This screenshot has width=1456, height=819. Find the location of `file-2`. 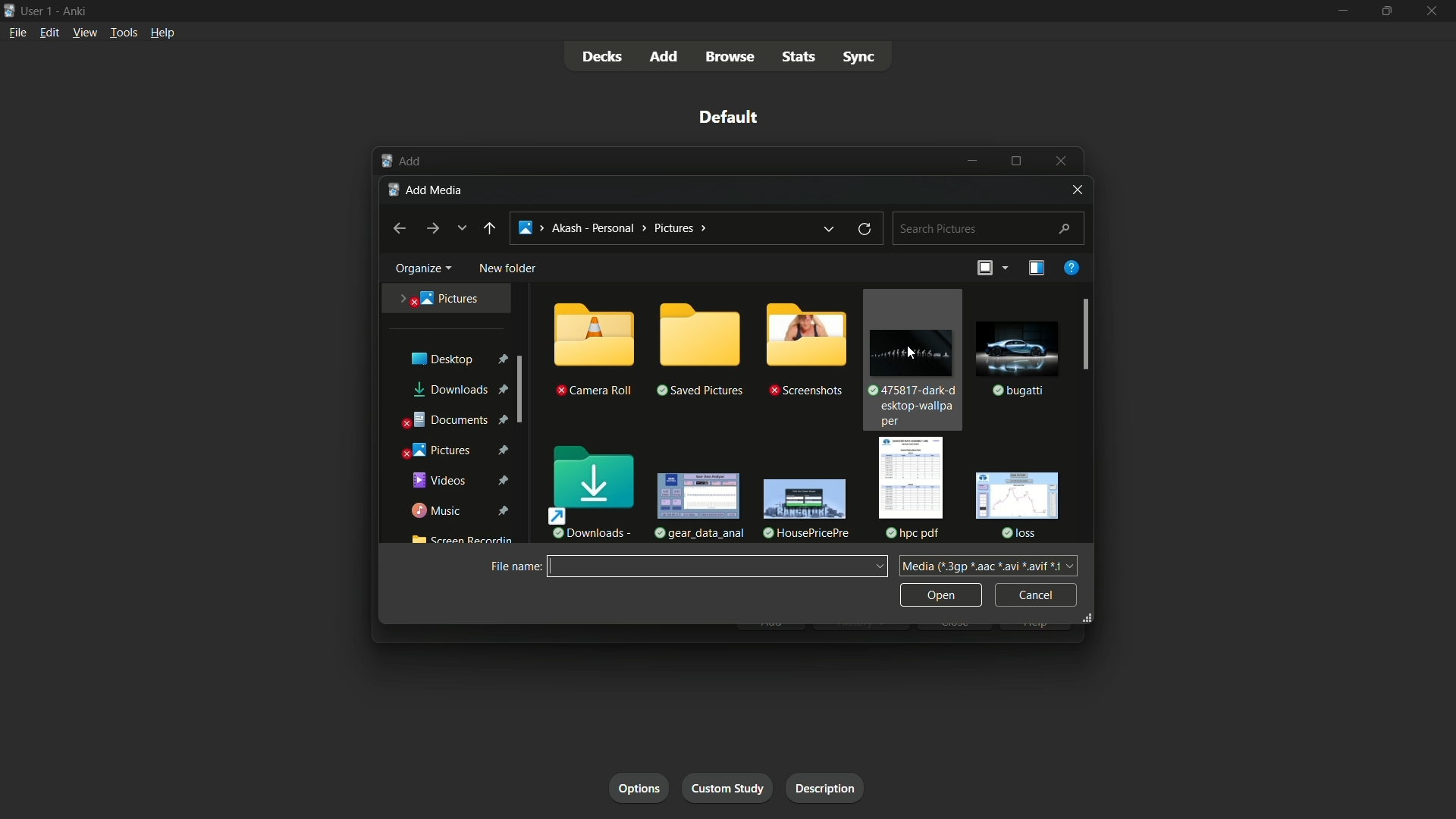

file-2 is located at coordinates (1019, 344).